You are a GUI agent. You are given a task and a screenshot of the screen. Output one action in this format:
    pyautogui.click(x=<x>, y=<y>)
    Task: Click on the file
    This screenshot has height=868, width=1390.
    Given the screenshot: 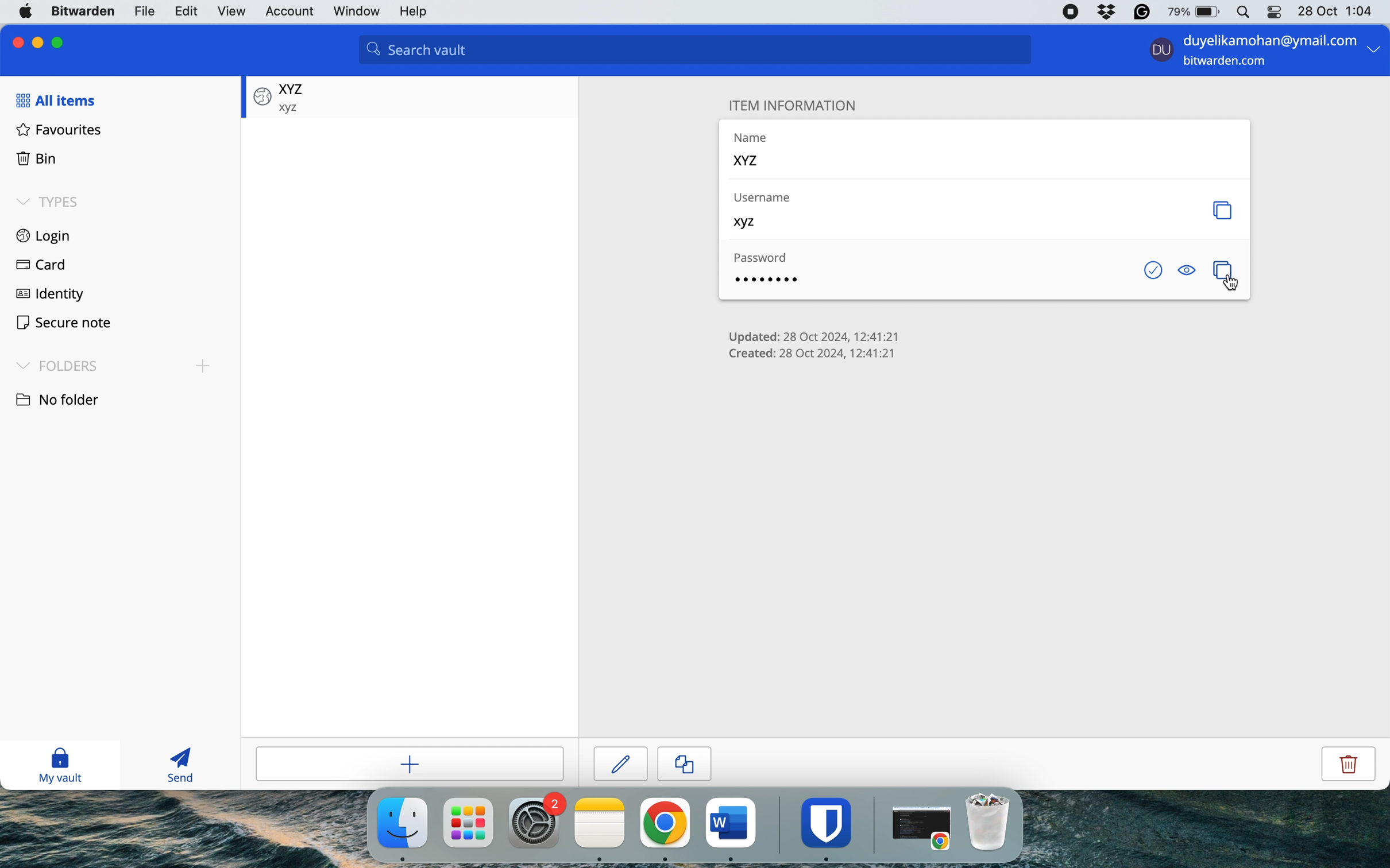 What is the action you would take?
    pyautogui.click(x=143, y=11)
    